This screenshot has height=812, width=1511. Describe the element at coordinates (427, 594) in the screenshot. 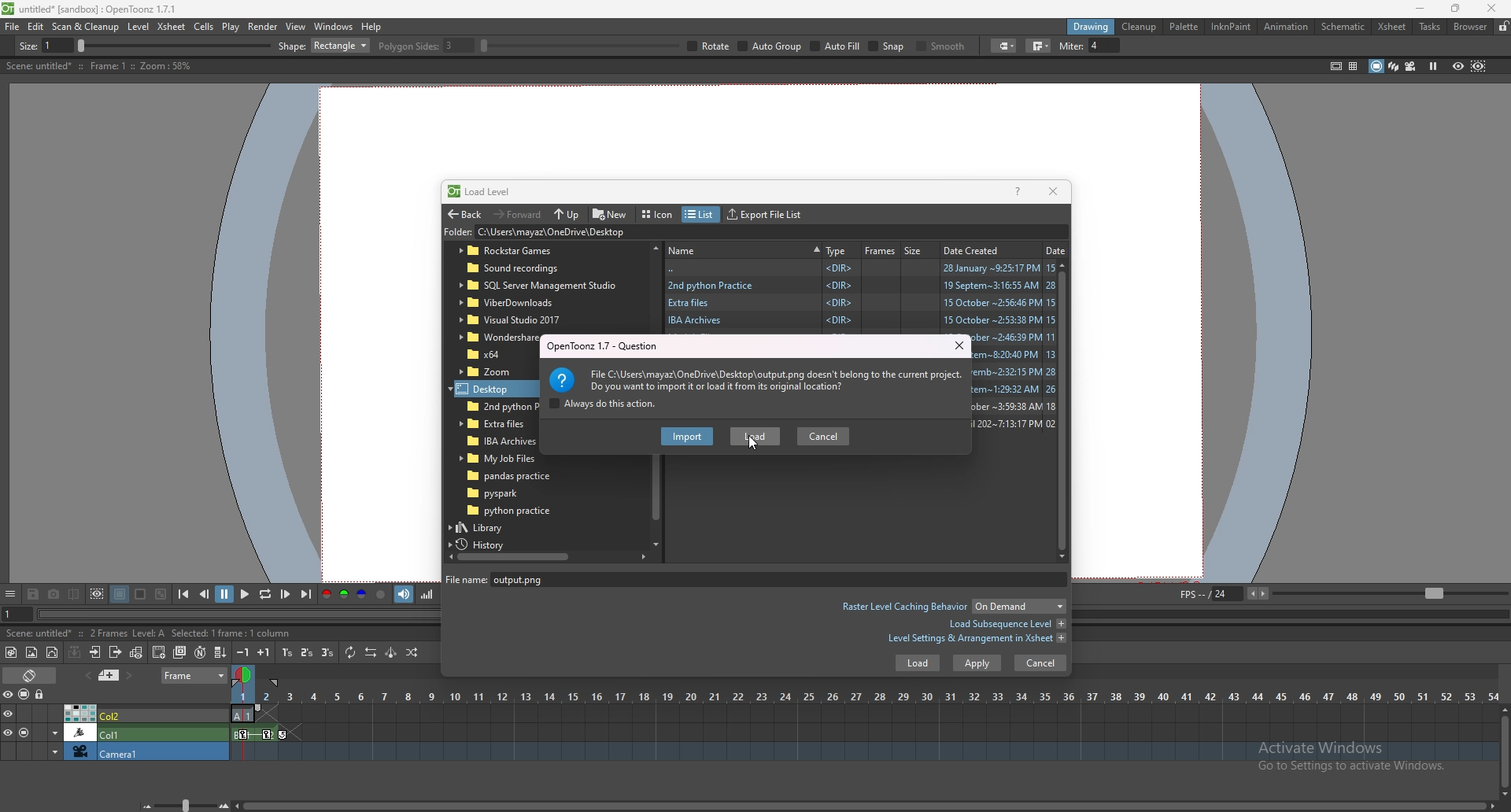

I see `histogram` at that location.